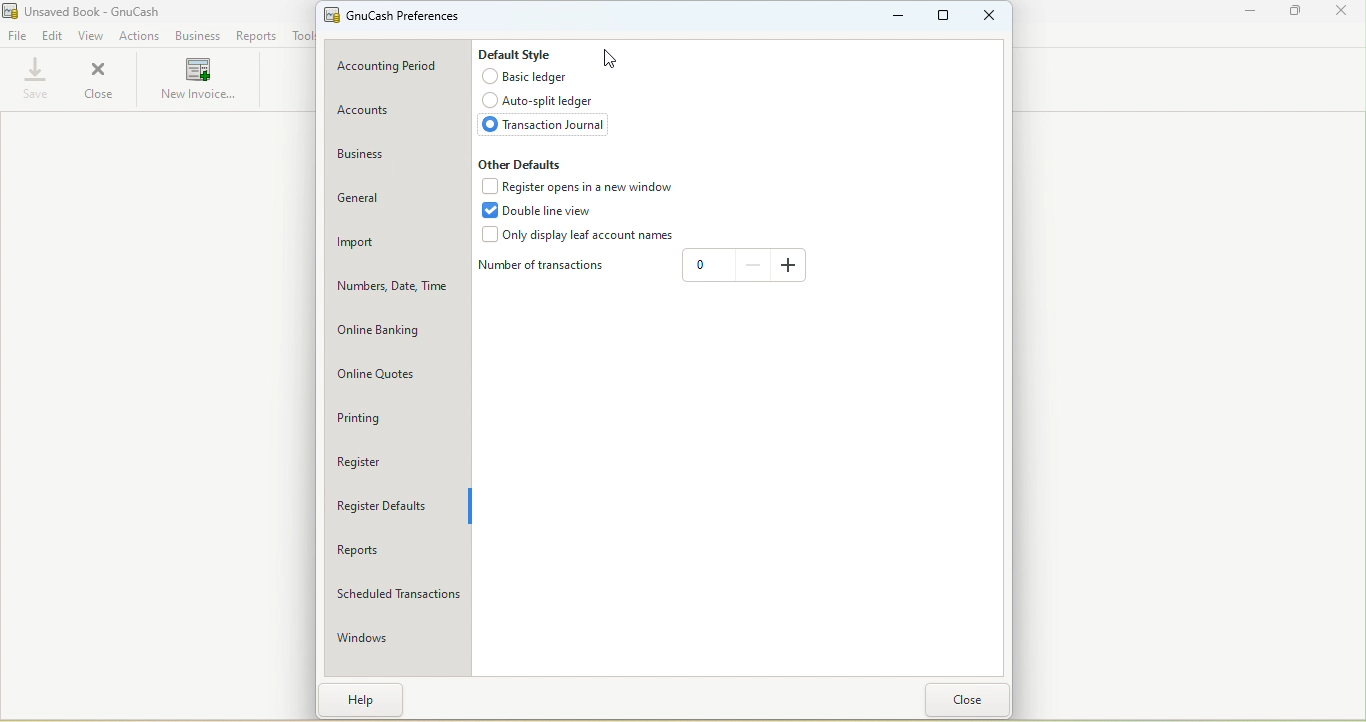  Describe the element at coordinates (395, 551) in the screenshot. I see `Reports` at that location.